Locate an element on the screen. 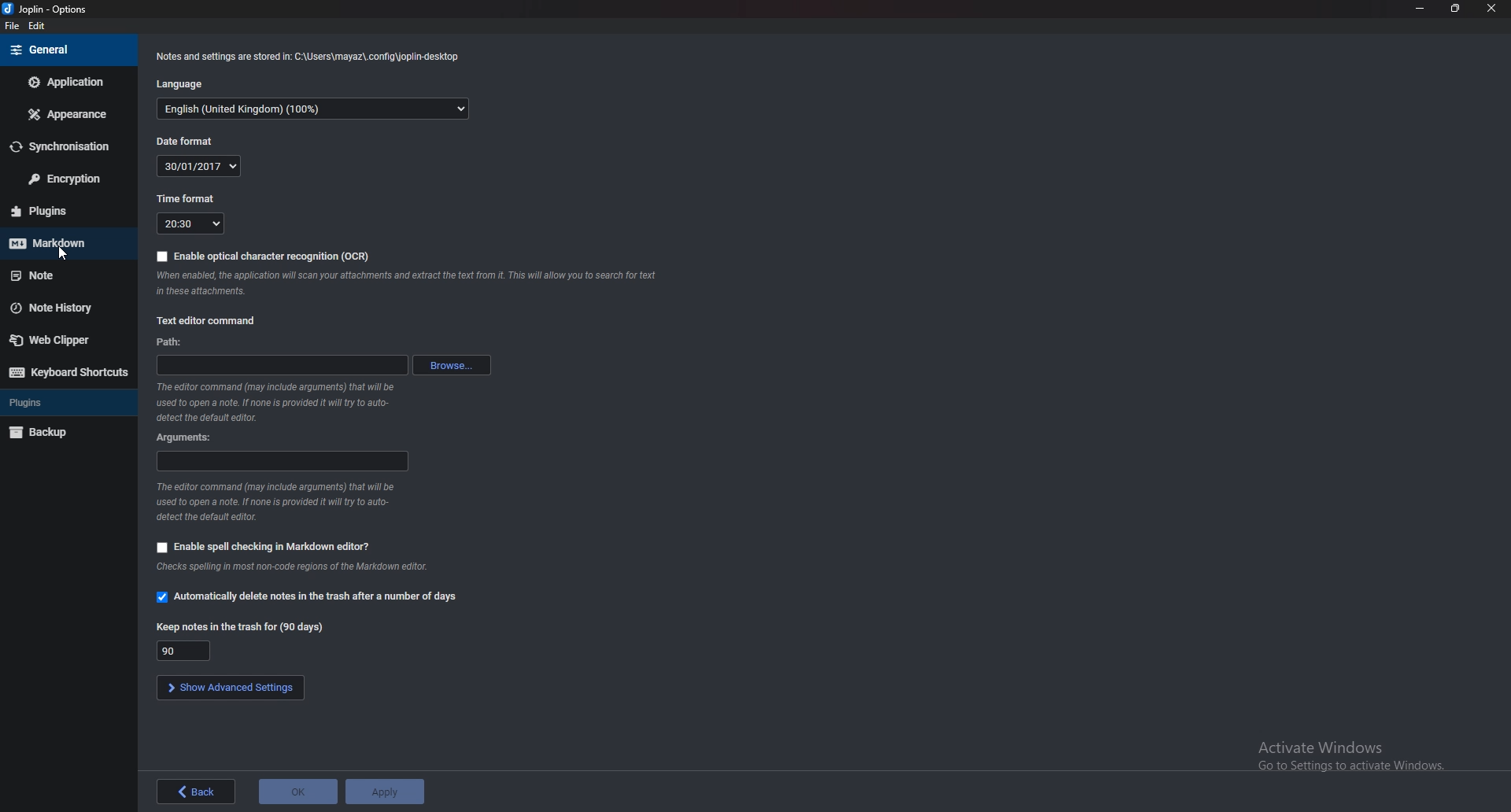 The width and height of the screenshot is (1511, 812). close is located at coordinates (1491, 9).